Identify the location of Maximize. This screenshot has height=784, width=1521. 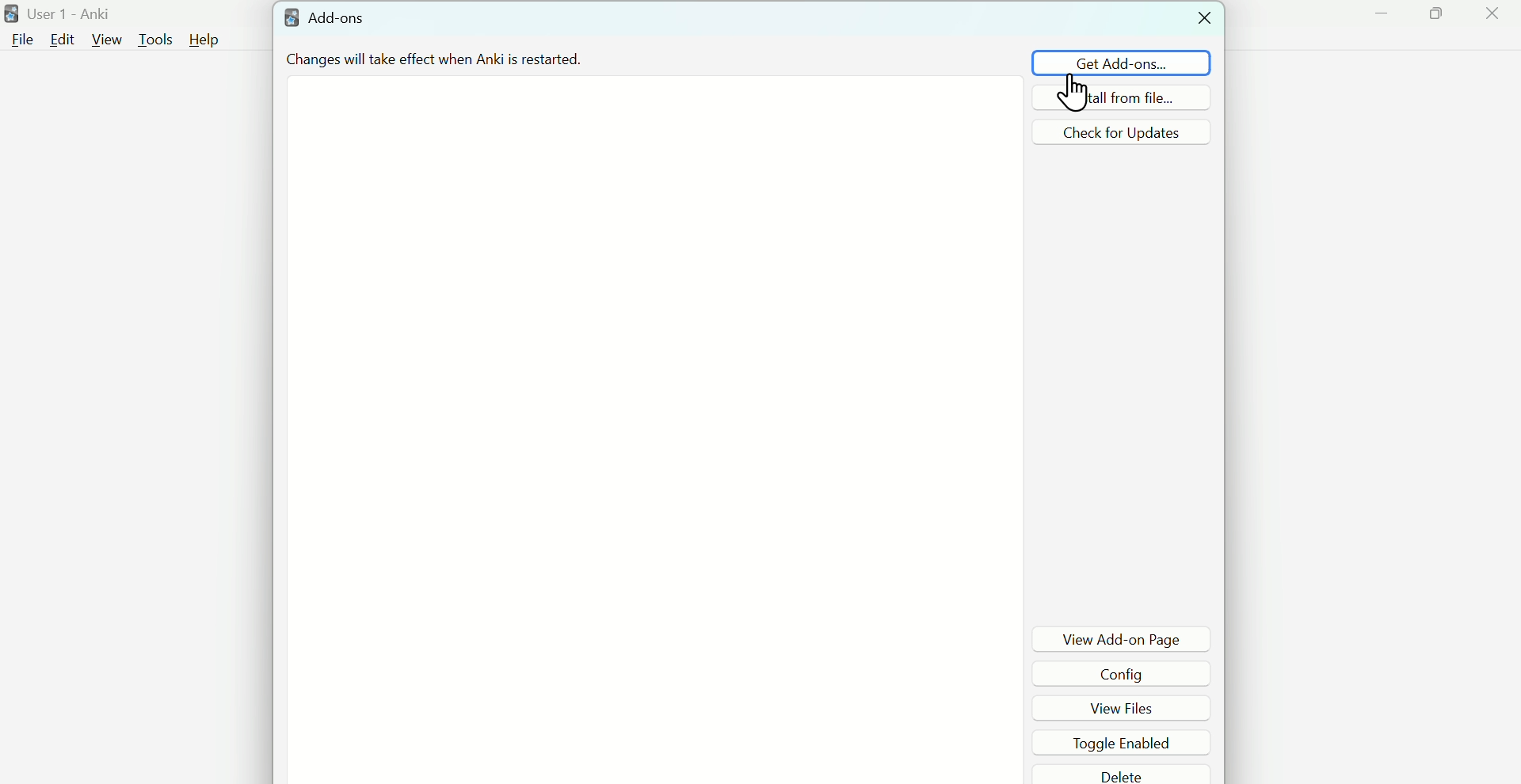
(1439, 17).